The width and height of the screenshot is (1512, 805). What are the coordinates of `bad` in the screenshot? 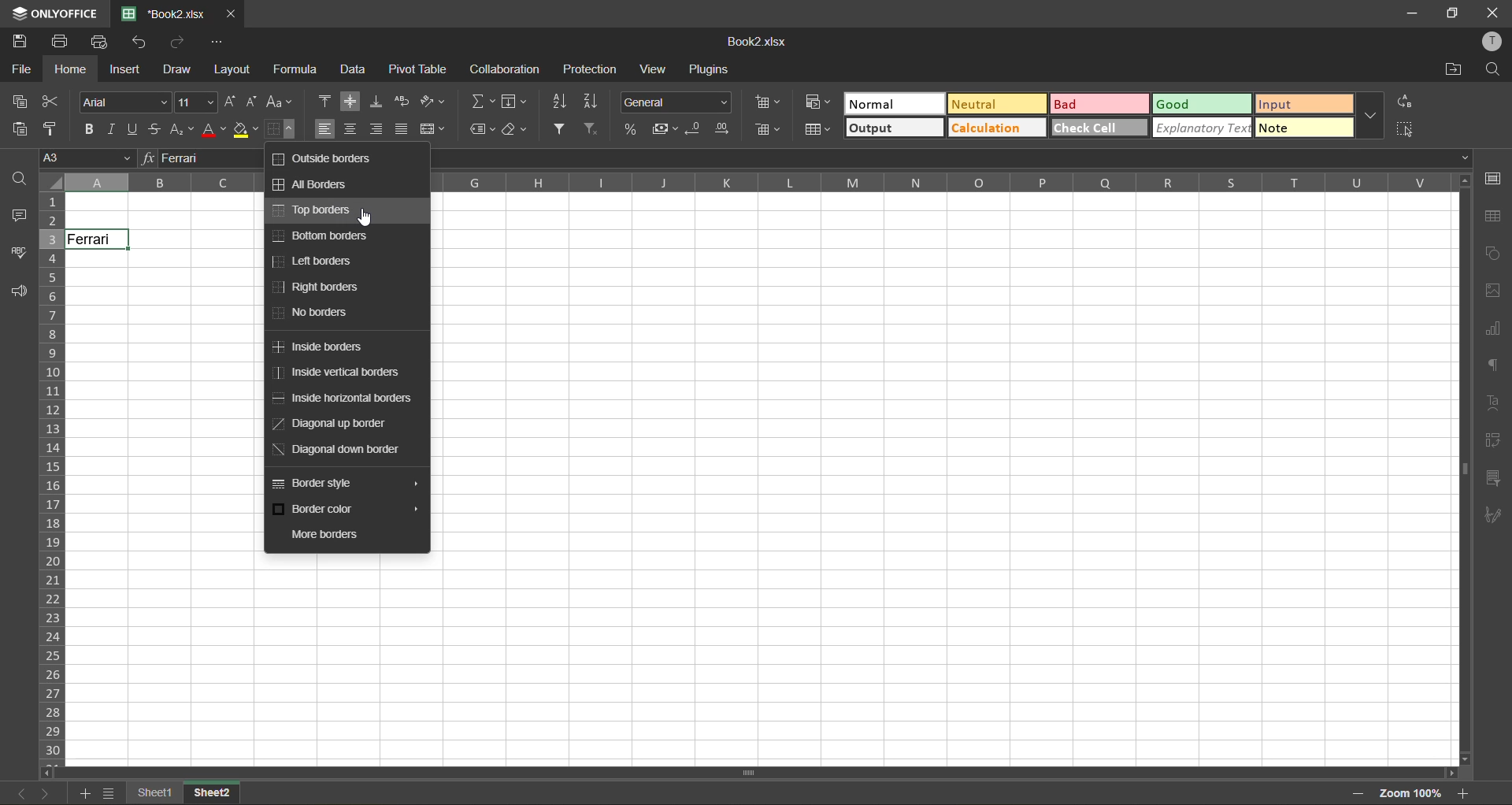 It's located at (1097, 106).